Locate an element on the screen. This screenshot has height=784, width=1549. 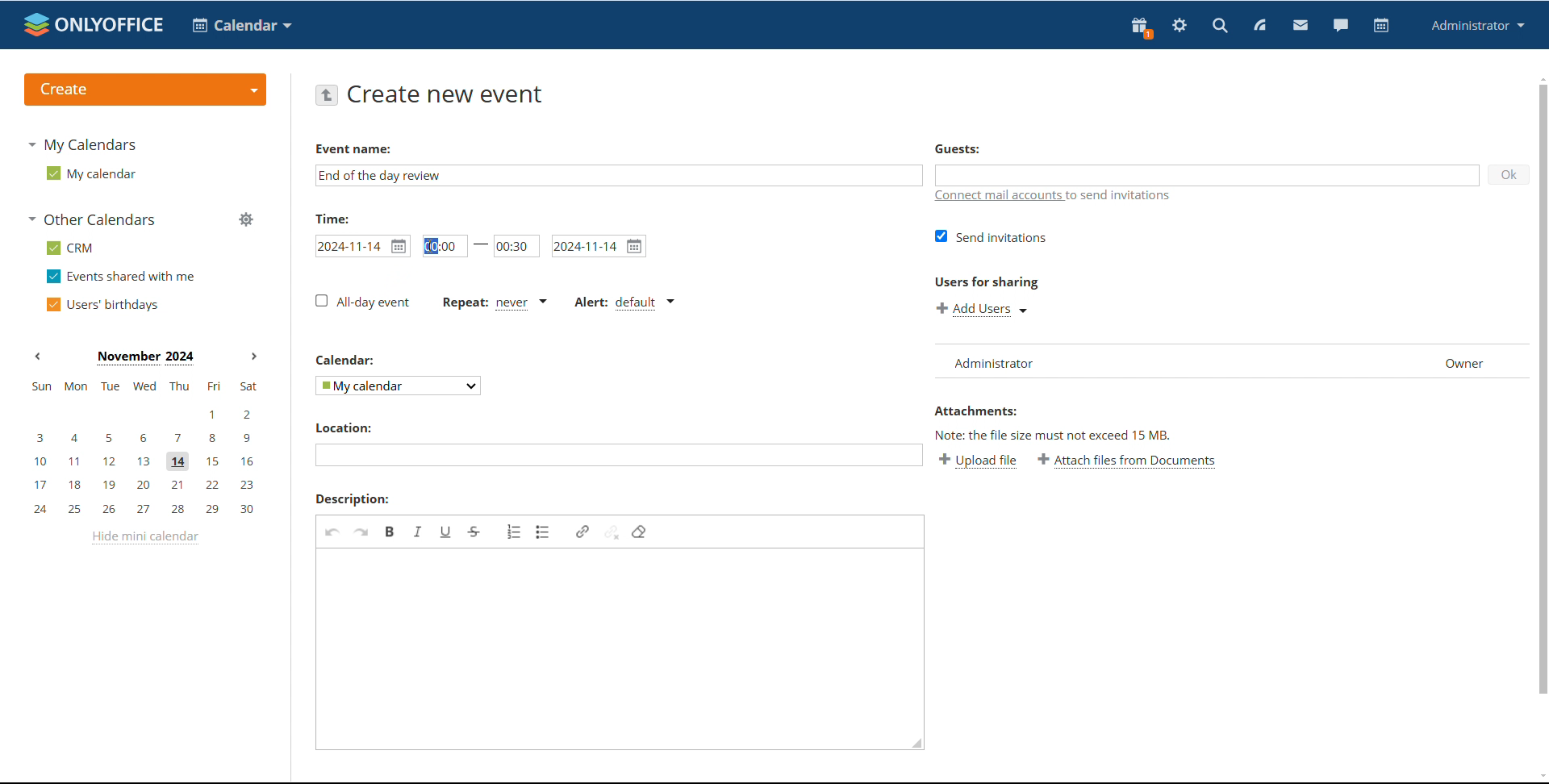
users for sharing is located at coordinates (987, 281).